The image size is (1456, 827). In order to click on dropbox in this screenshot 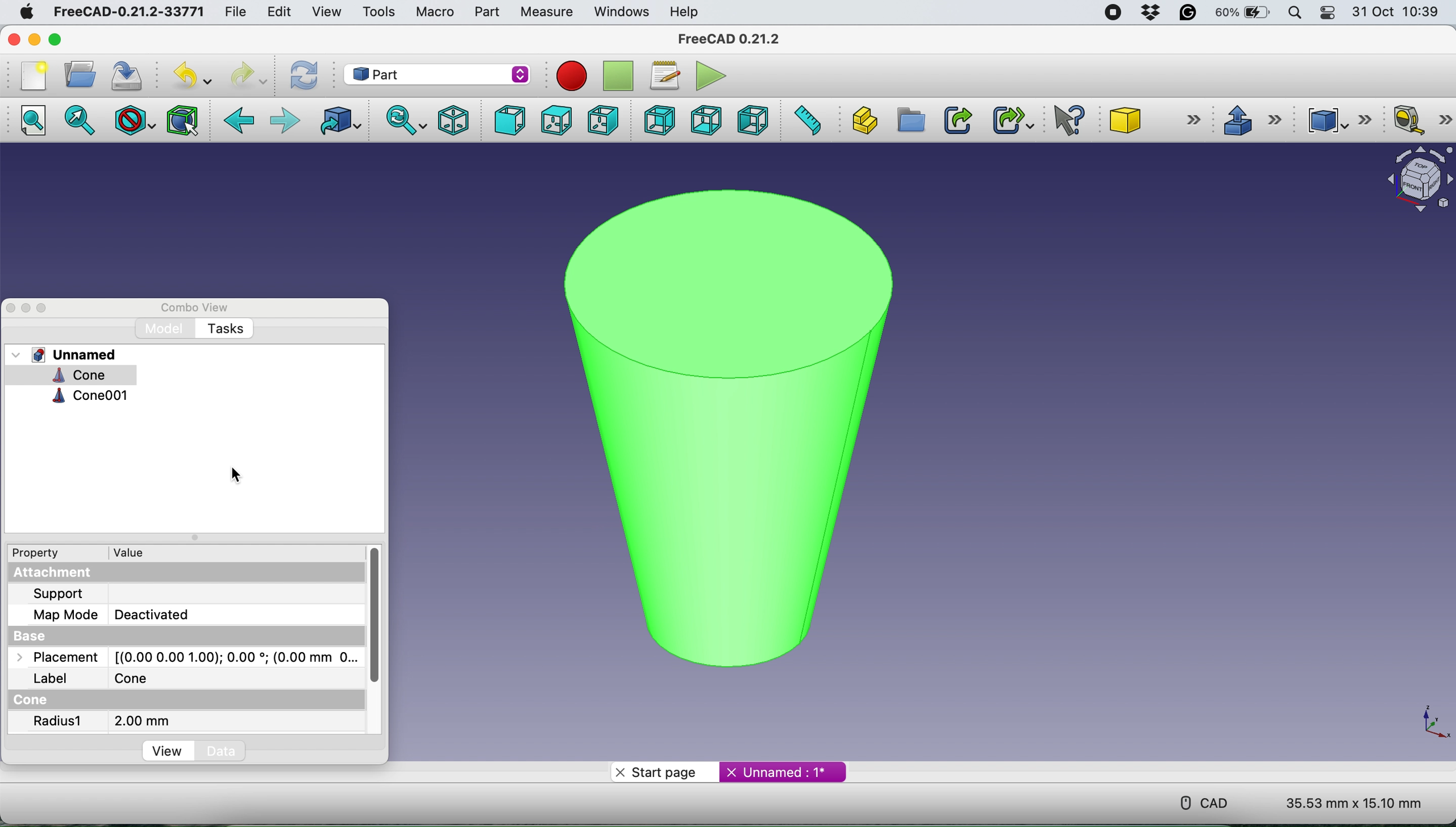, I will do `click(1147, 13)`.